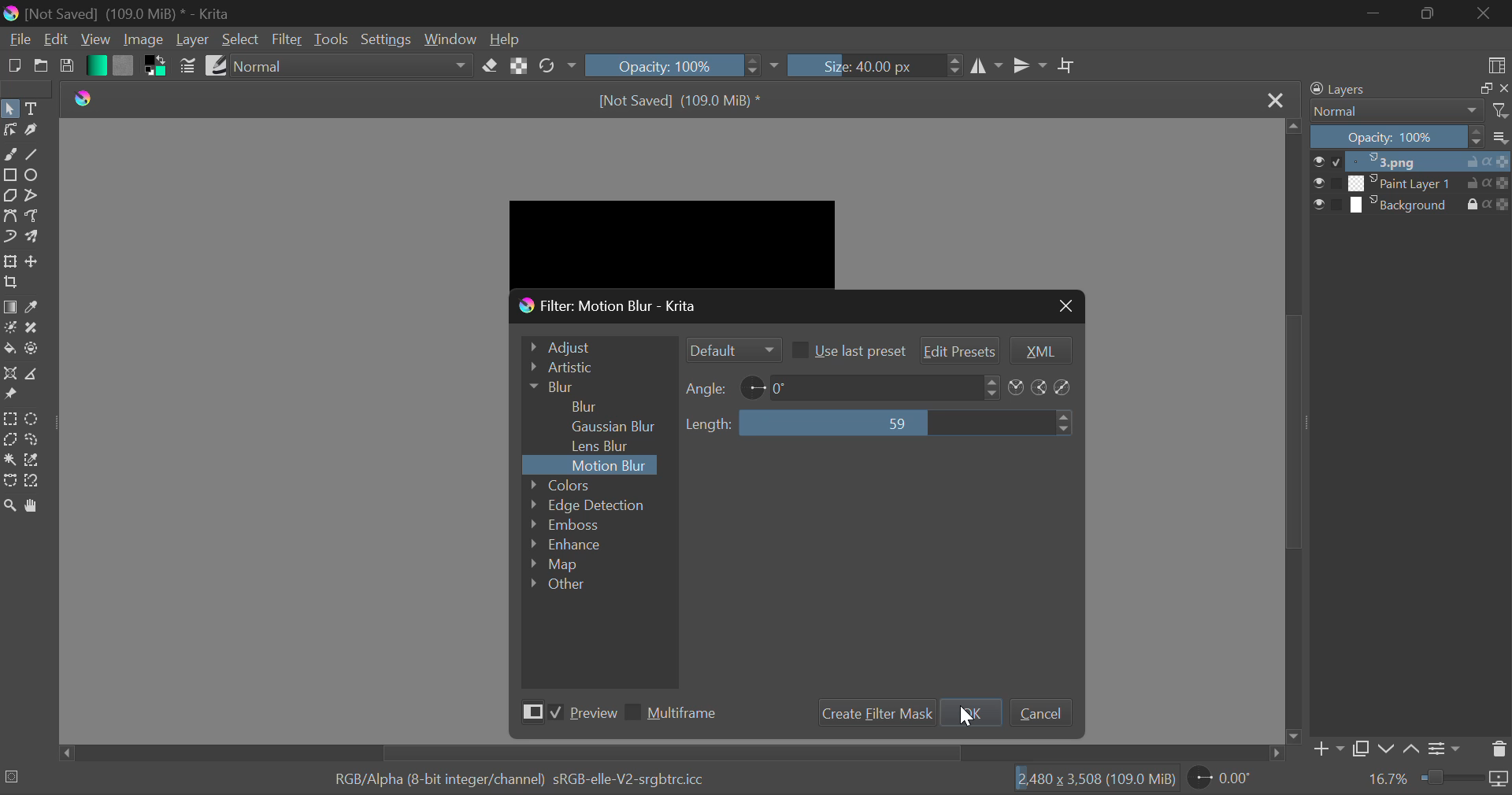 The height and width of the screenshot is (795, 1512). Describe the element at coordinates (520, 65) in the screenshot. I see `Lock Alpha` at that location.